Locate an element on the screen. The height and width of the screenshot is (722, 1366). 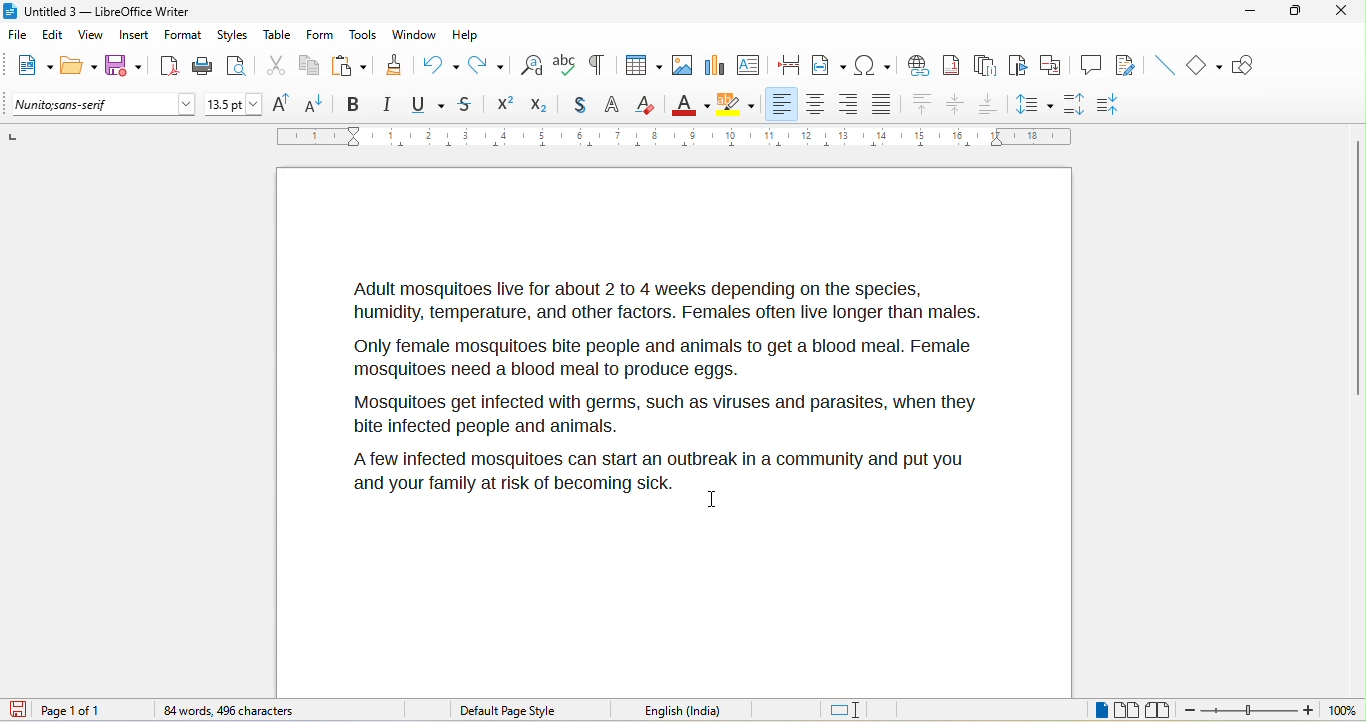
font name is located at coordinates (105, 105).